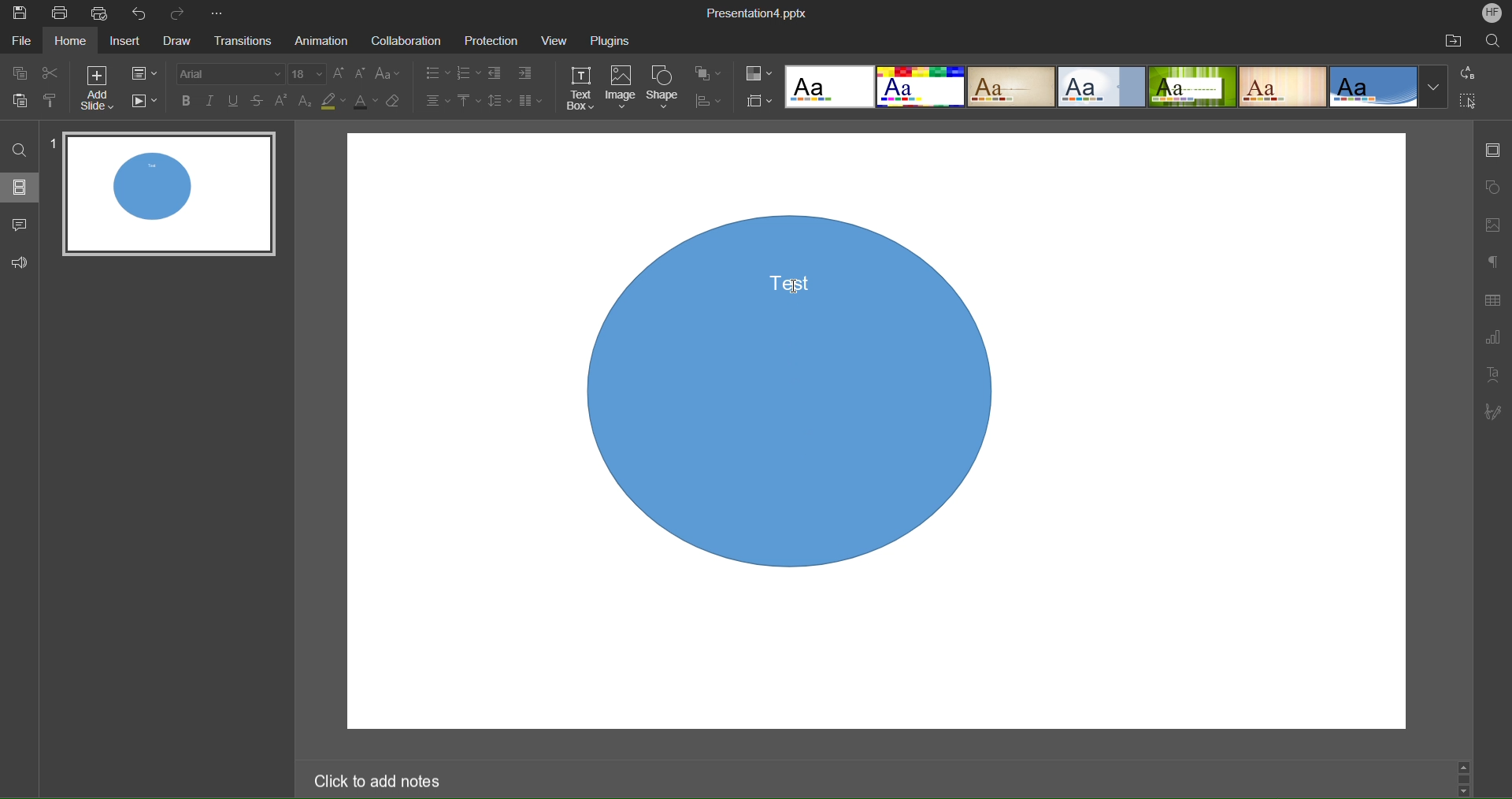  Describe the element at coordinates (377, 780) in the screenshot. I see `Click to add notes` at that location.